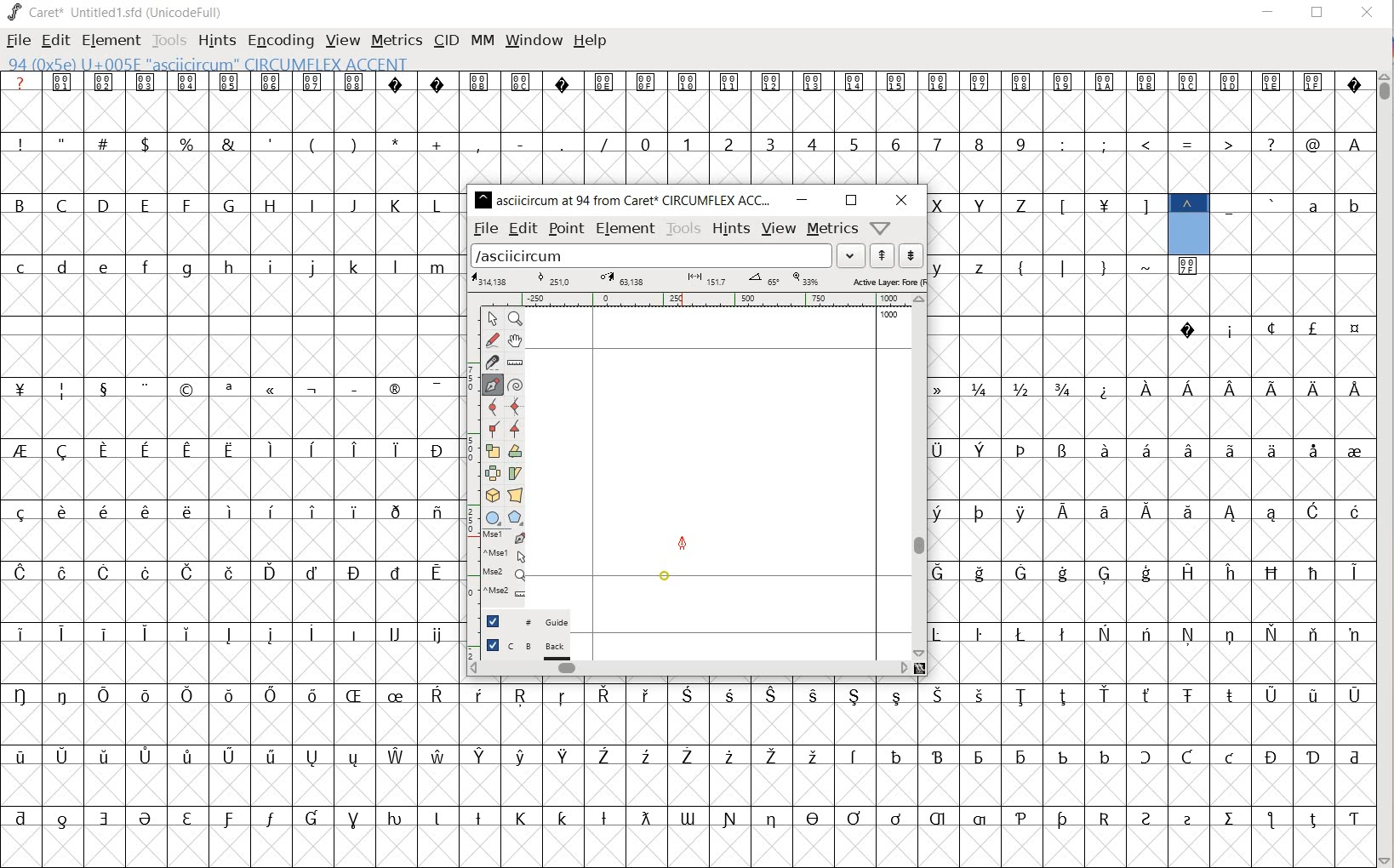  What do you see at coordinates (1365, 14) in the screenshot?
I see `CLOSE` at bounding box center [1365, 14].